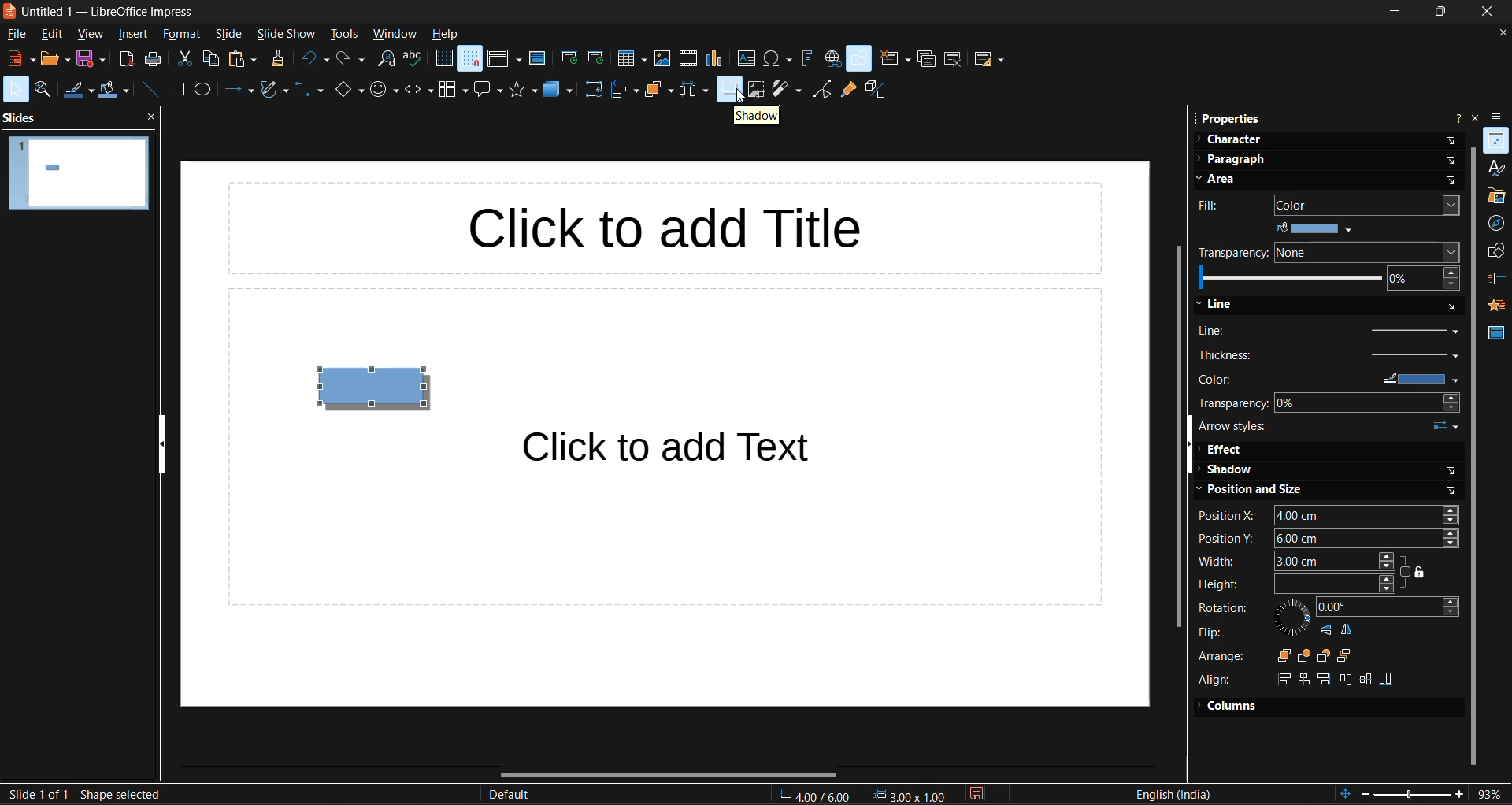 This screenshot has height=805, width=1512. Describe the element at coordinates (1495, 195) in the screenshot. I see `gallery` at that location.